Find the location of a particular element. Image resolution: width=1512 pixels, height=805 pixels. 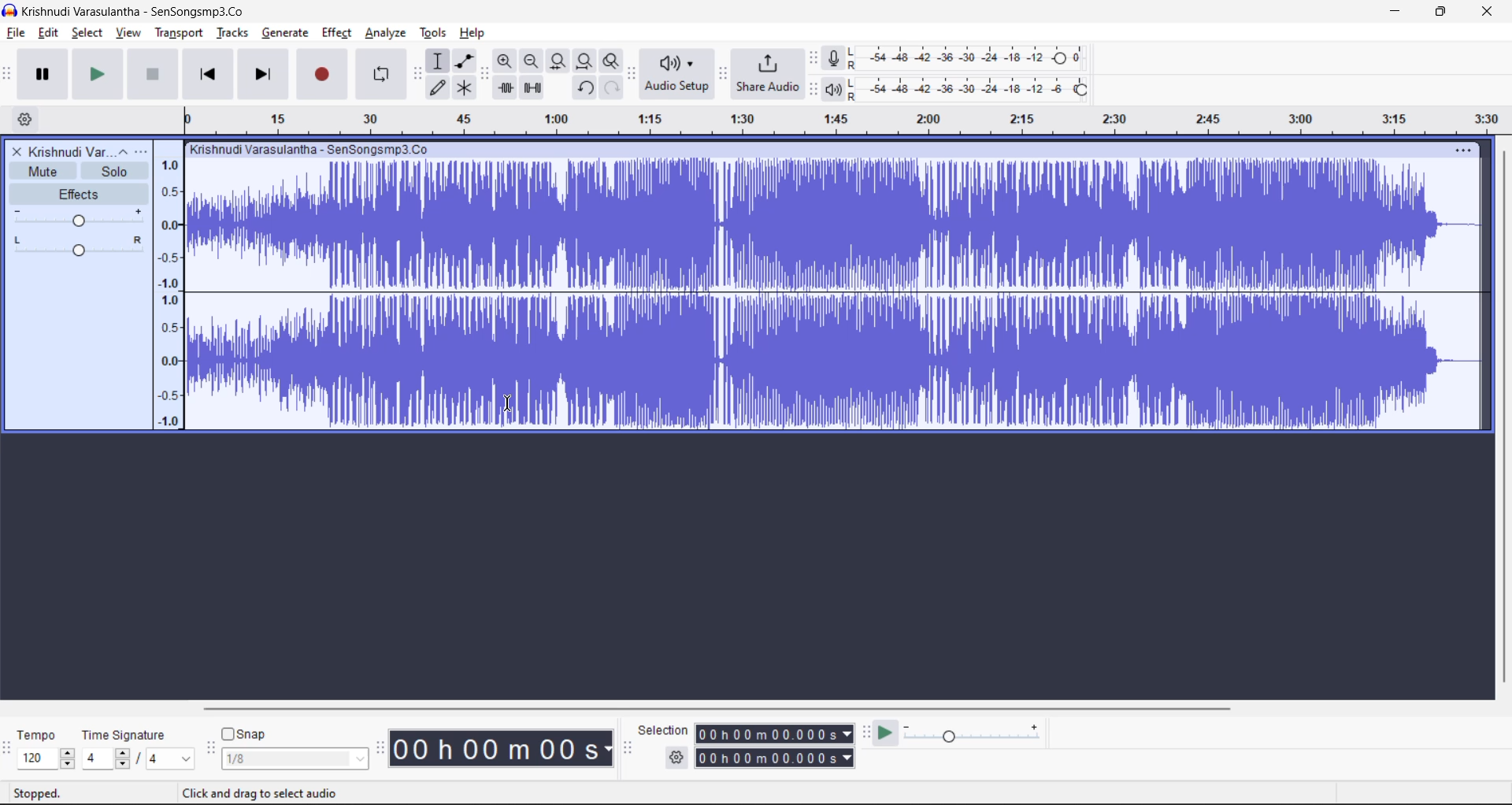

enable looping is located at coordinates (383, 74).